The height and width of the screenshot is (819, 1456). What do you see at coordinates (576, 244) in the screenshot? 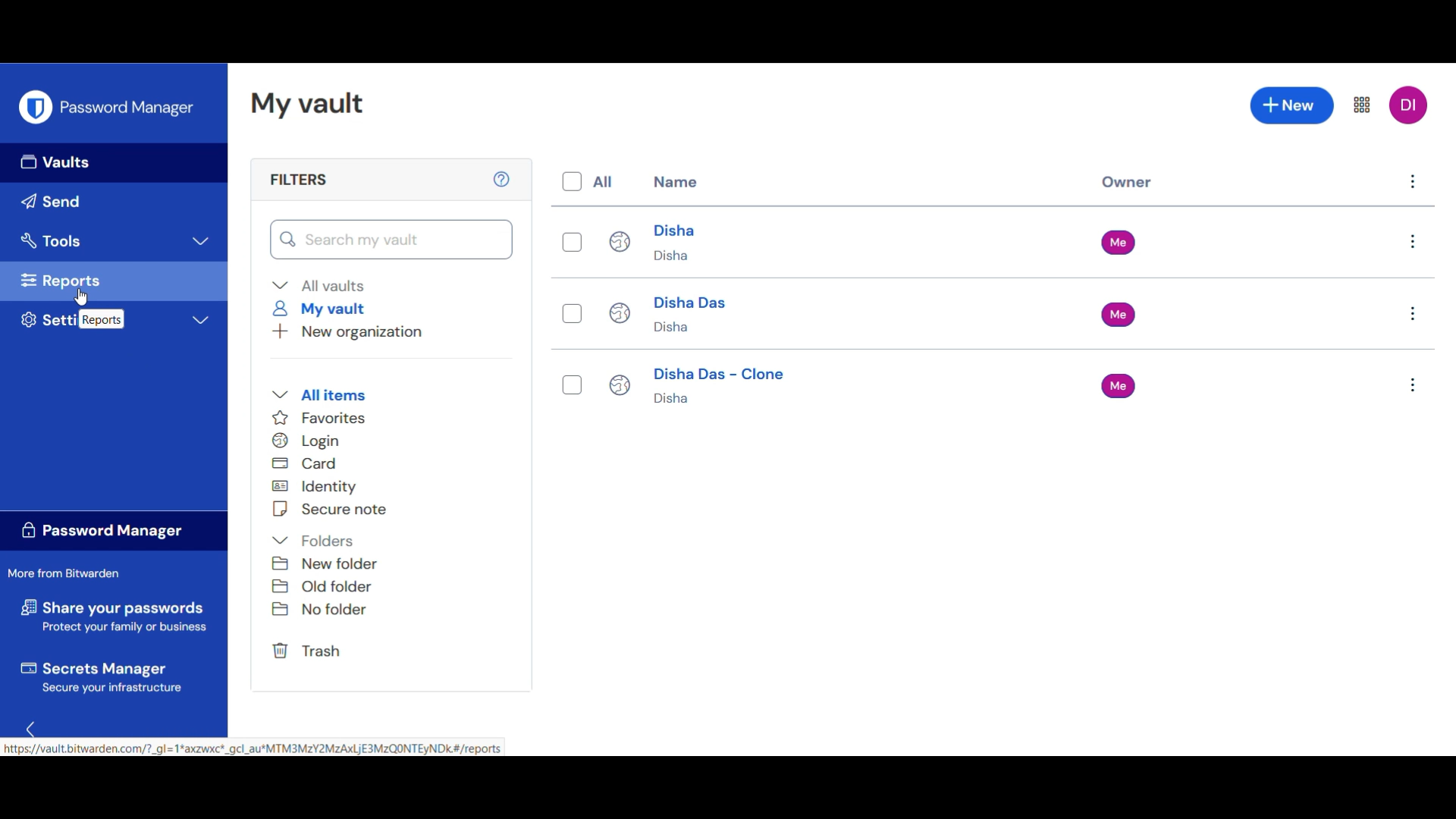
I see `select checkbox` at bounding box center [576, 244].